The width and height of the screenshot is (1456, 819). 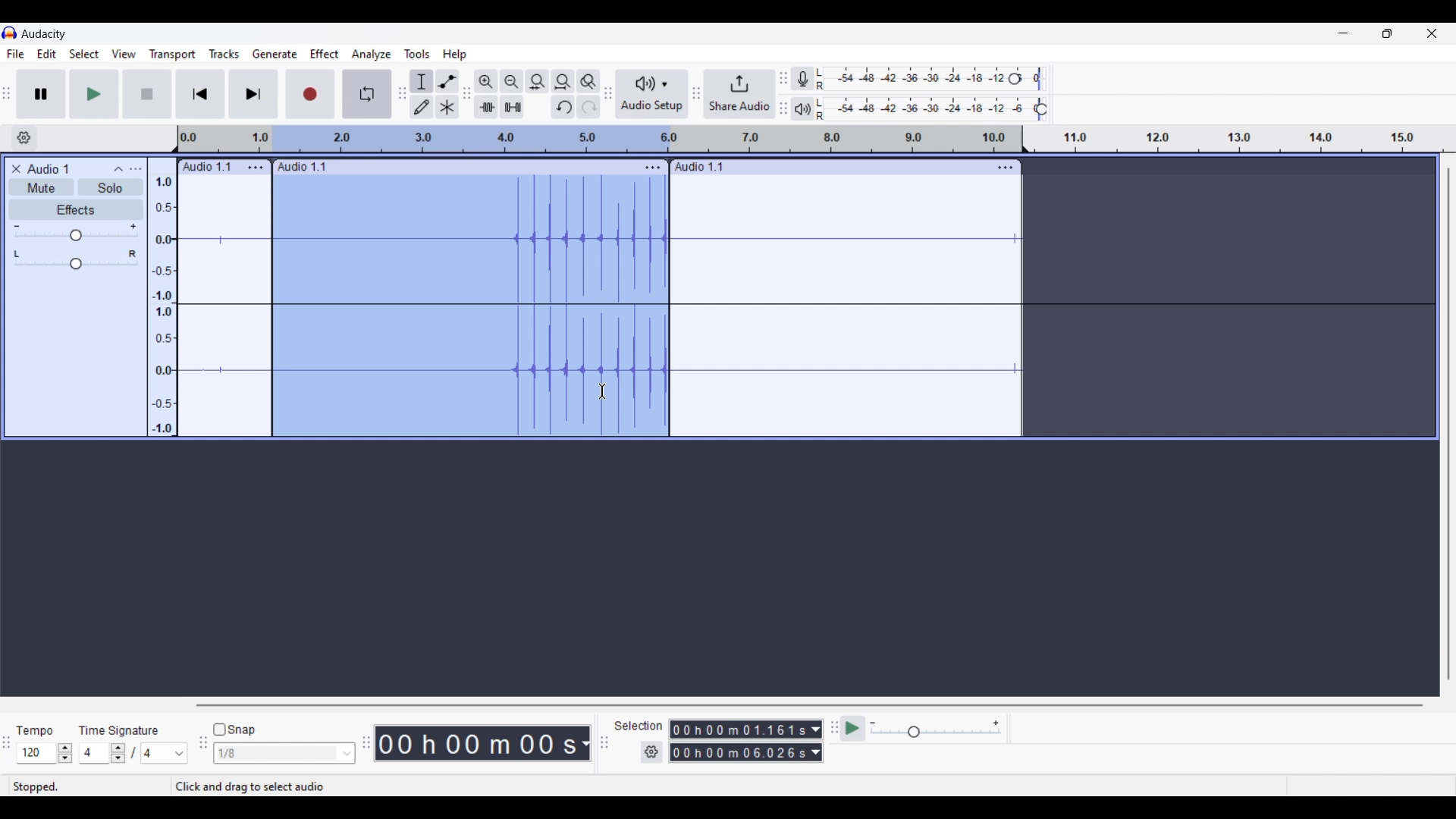 What do you see at coordinates (94, 753) in the screenshot?
I see `Type in time signature` at bounding box center [94, 753].